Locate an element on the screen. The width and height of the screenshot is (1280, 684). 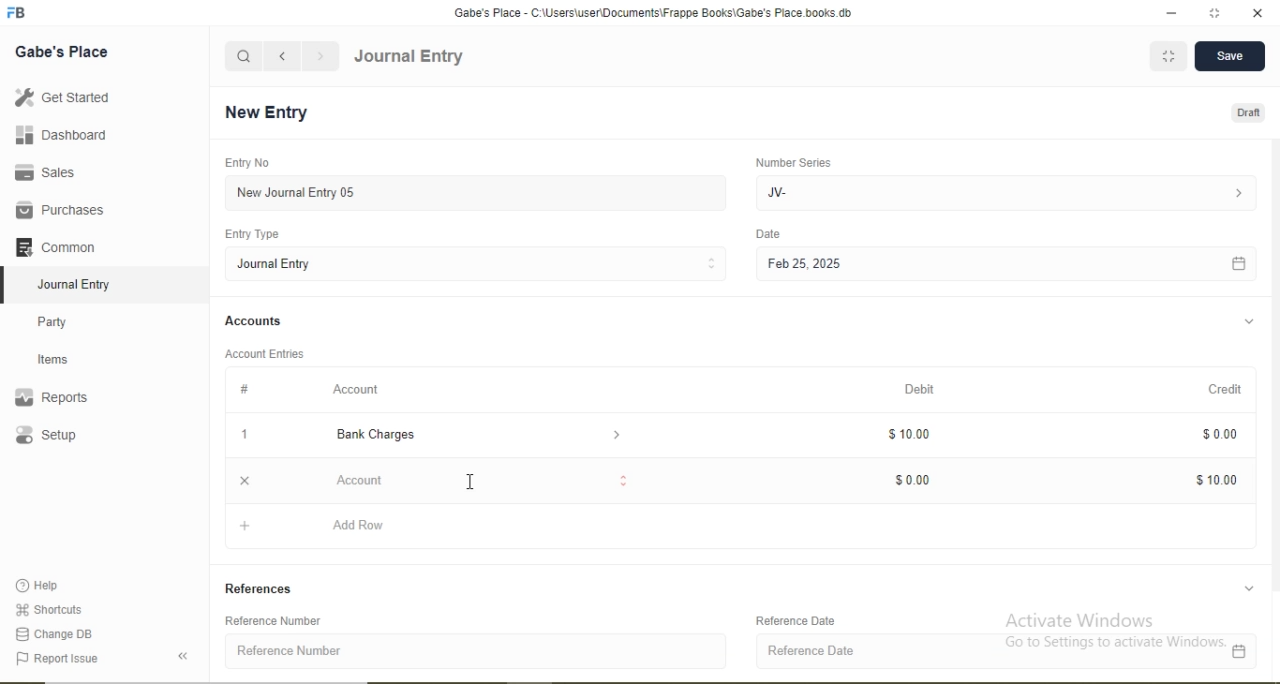
Draft is located at coordinates (1250, 114).